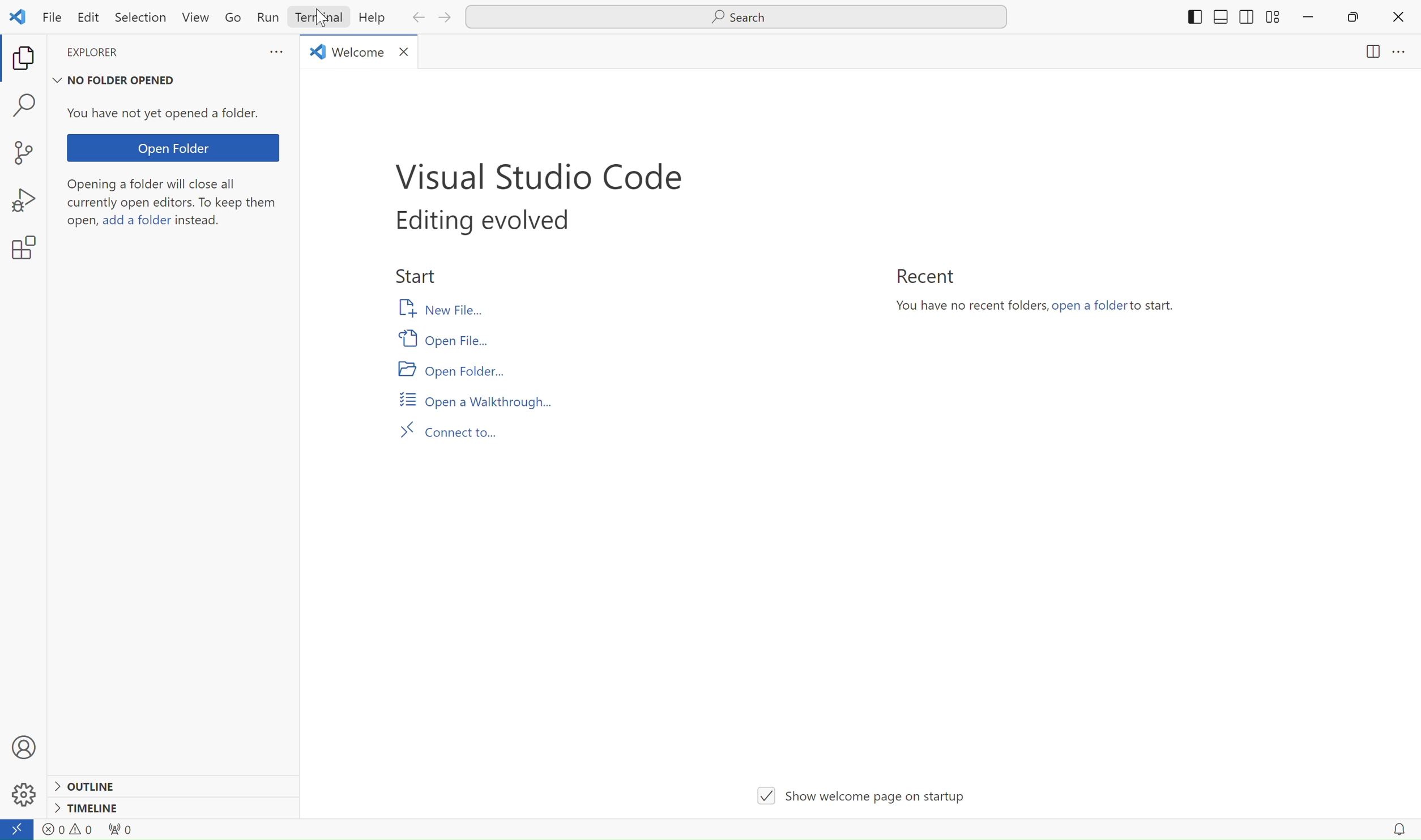 The image size is (1421, 840). What do you see at coordinates (542, 175) in the screenshot?
I see `visual studio code` at bounding box center [542, 175].